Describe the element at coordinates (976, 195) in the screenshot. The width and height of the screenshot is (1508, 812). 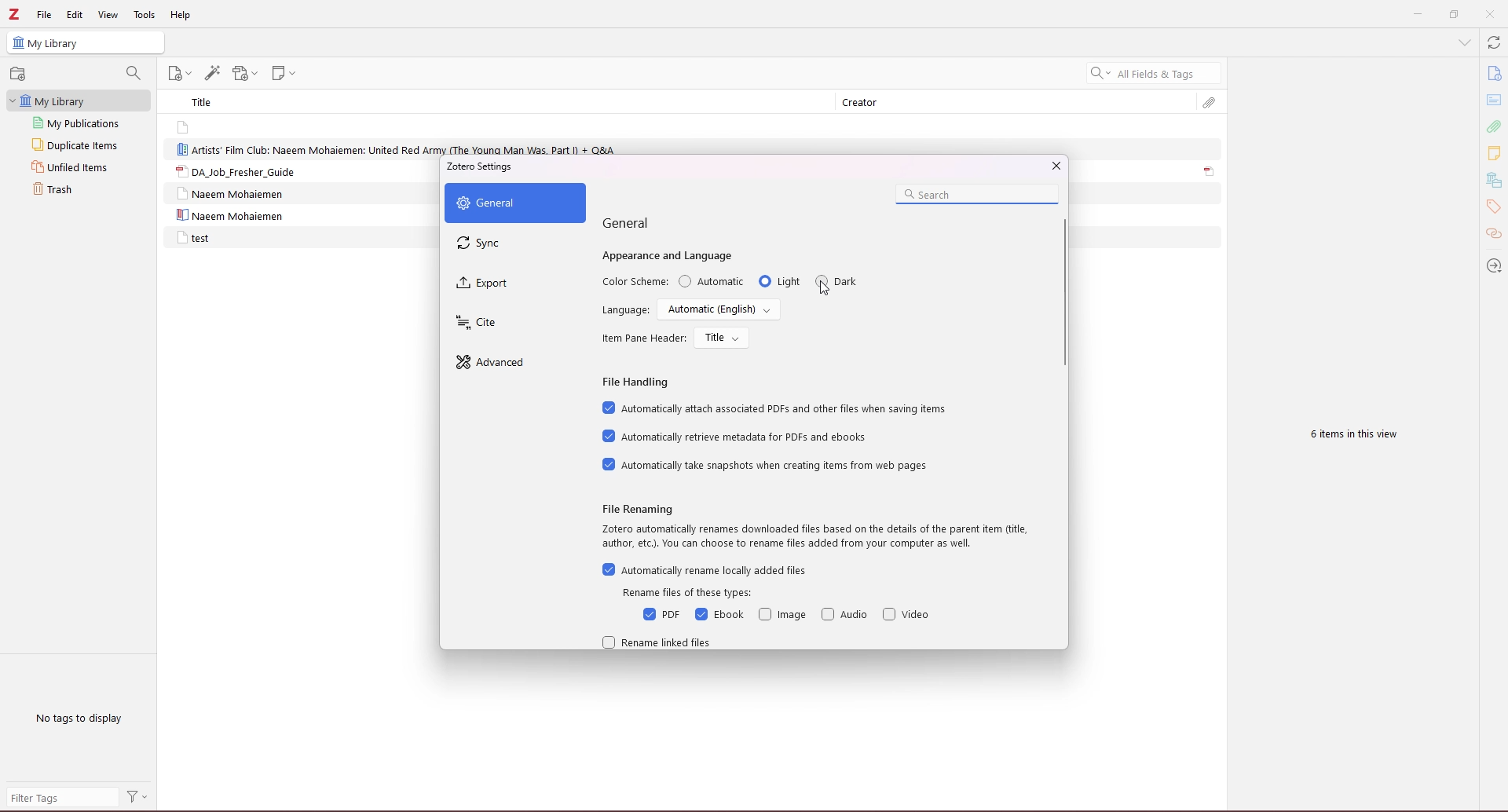
I see `search bar` at that location.